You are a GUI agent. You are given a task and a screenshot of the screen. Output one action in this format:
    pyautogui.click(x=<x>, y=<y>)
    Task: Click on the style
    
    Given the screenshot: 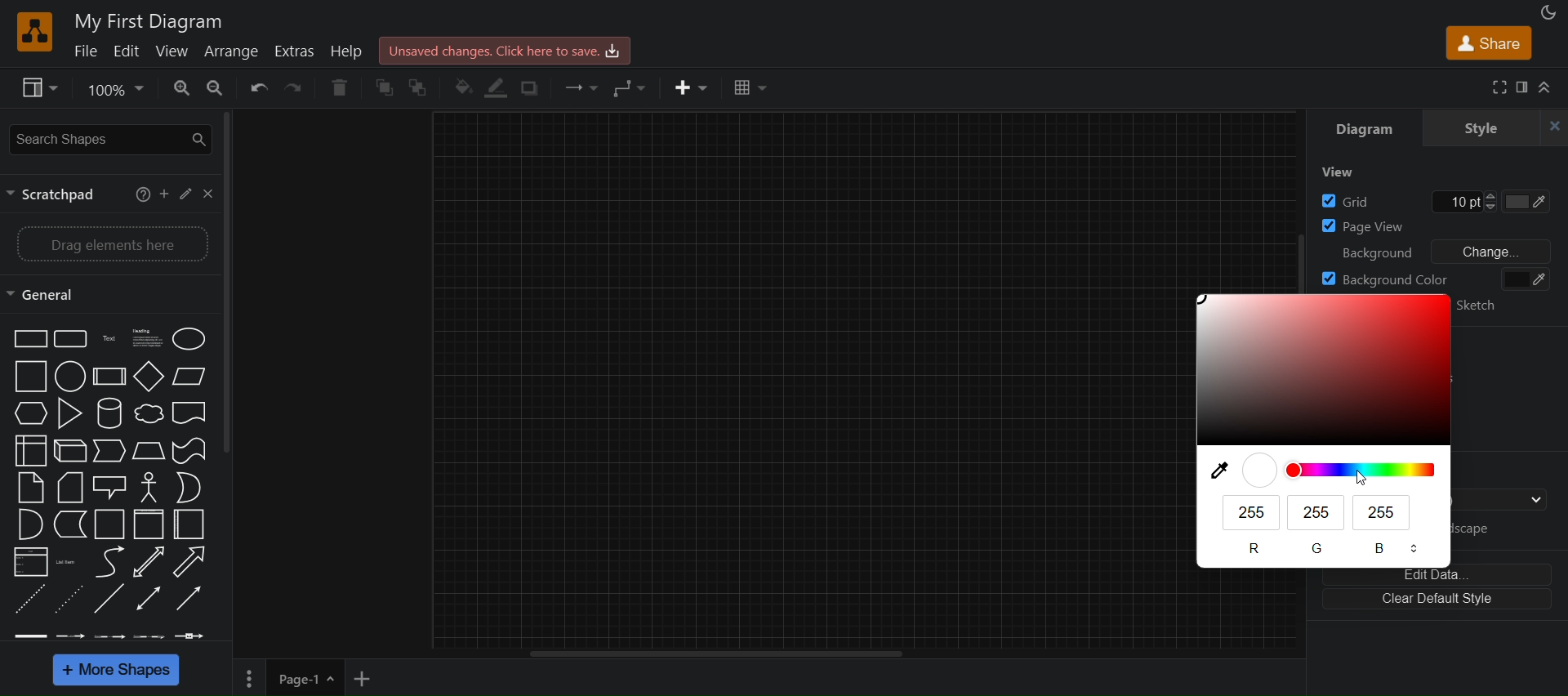 What is the action you would take?
    pyautogui.click(x=1485, y=128)
    